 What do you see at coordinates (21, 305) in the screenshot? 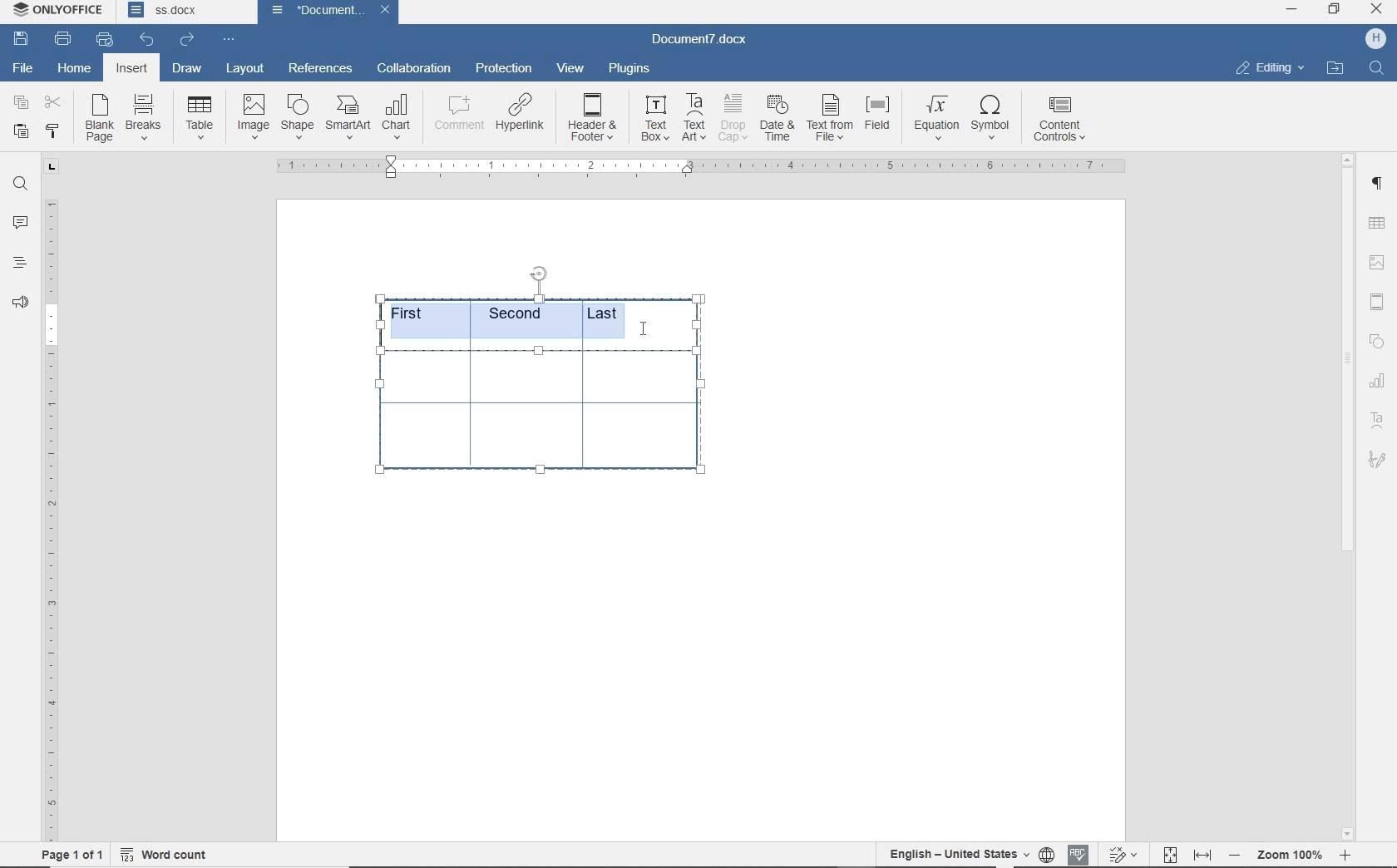
I see `feedback & suppory` at bounding box center [21, 305].